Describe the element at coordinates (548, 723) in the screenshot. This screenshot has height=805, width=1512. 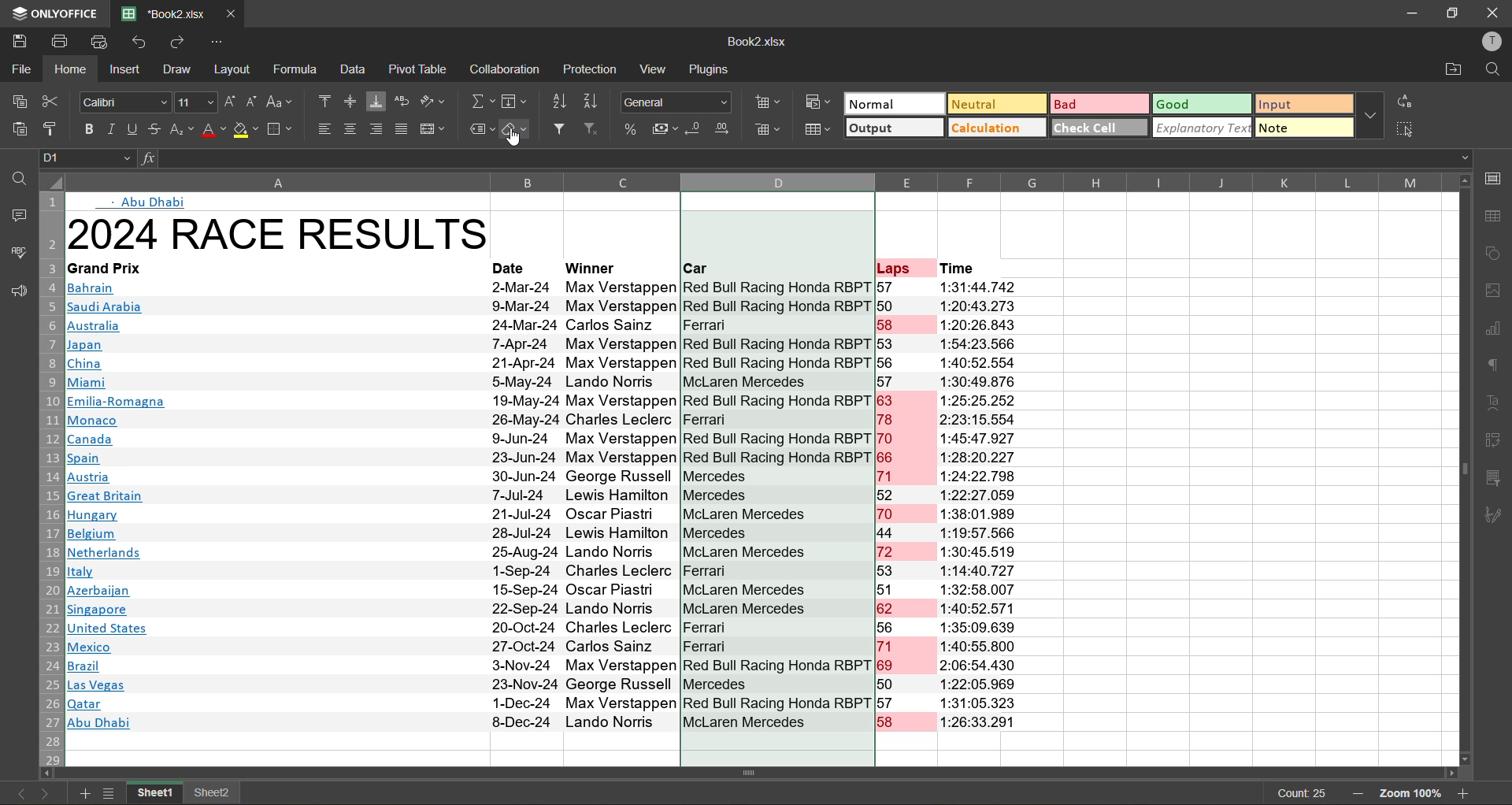
I see `Abu Dhabi 8-Dec-24 Lando Norris McLaren Mercedes 58 1:26:33.291` at that location.